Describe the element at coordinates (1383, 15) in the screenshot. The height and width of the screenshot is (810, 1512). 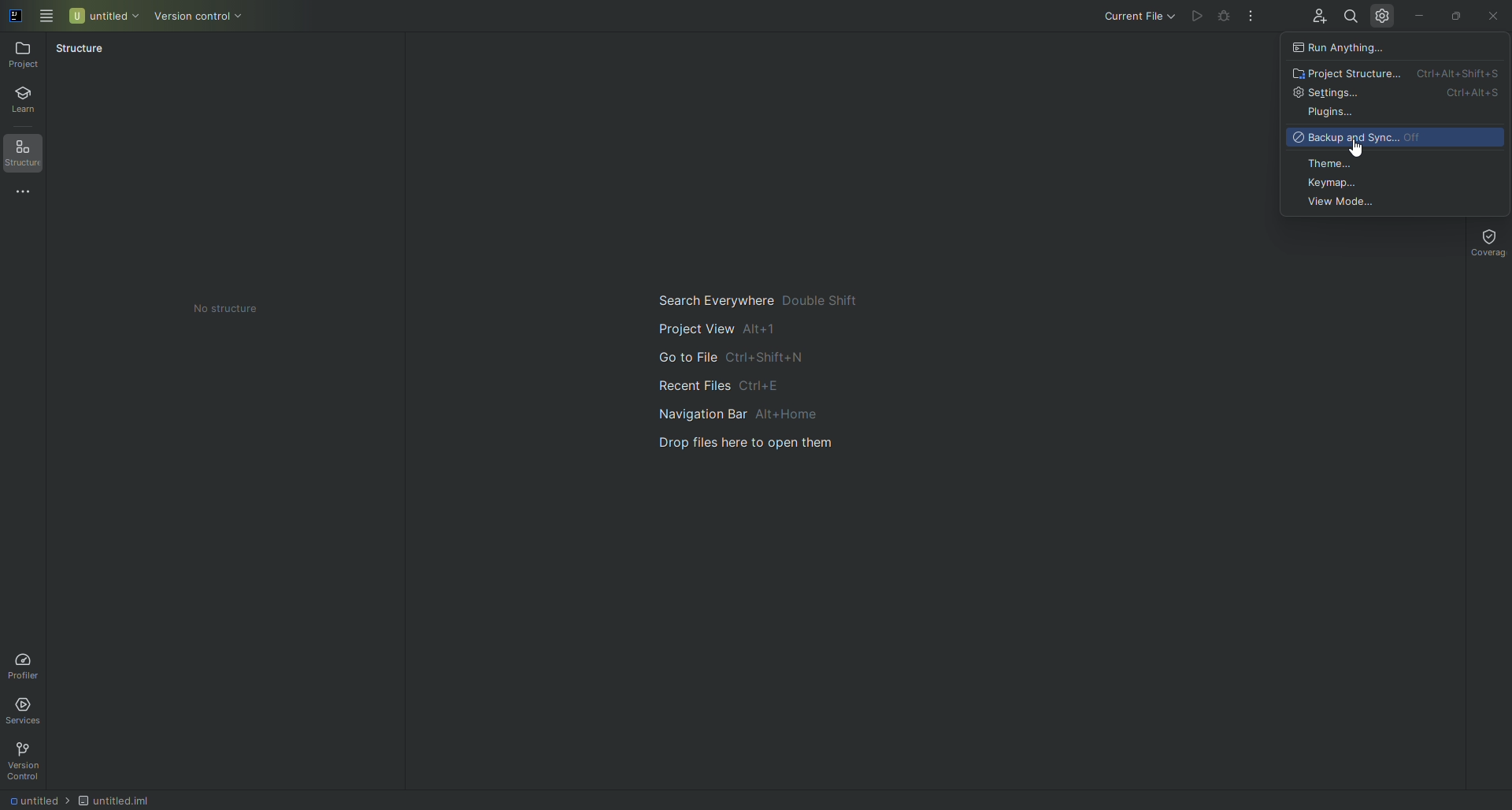
I see `Updates and Settings` at that location.